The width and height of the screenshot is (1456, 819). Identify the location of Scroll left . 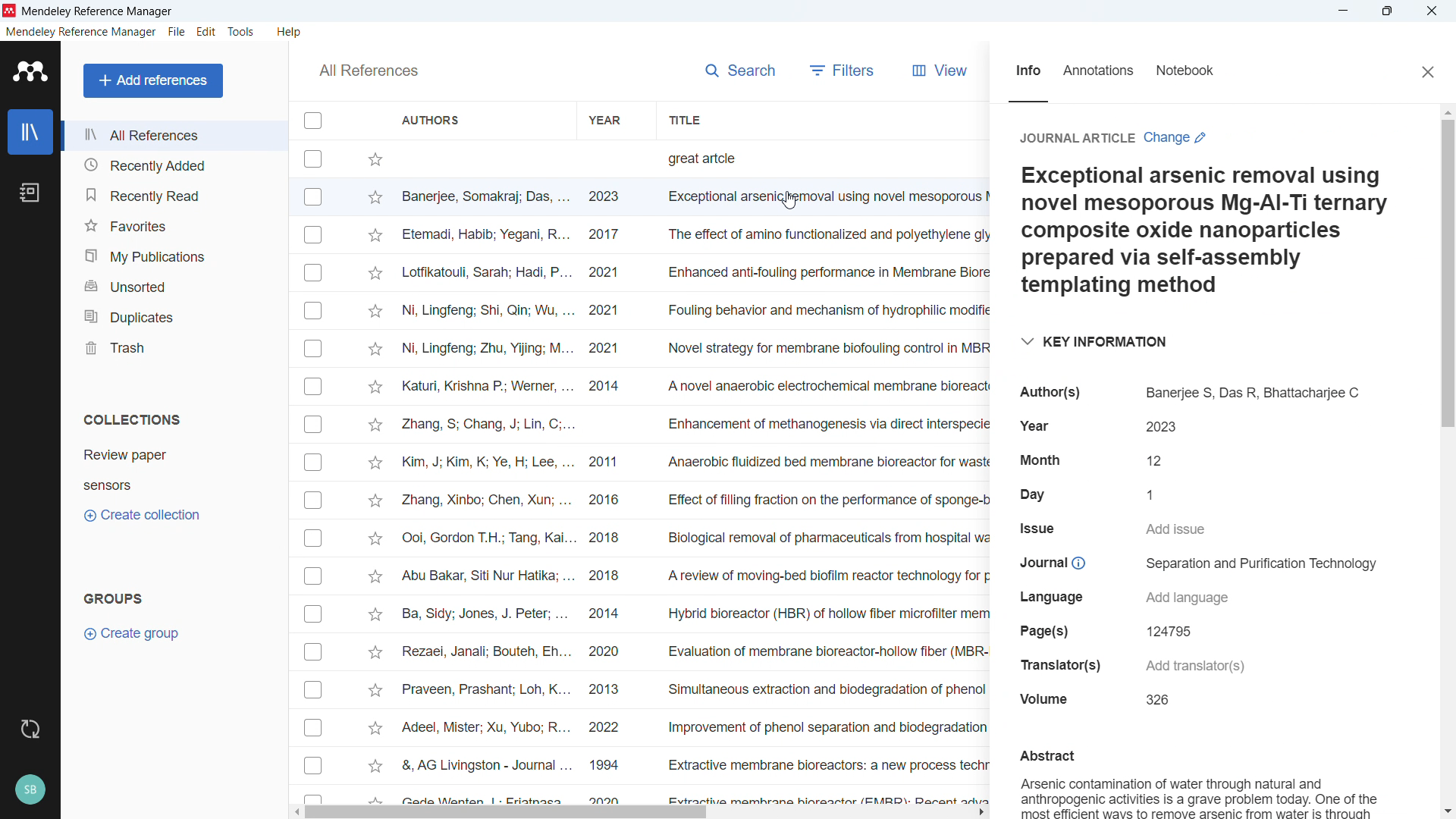
(294, 812).